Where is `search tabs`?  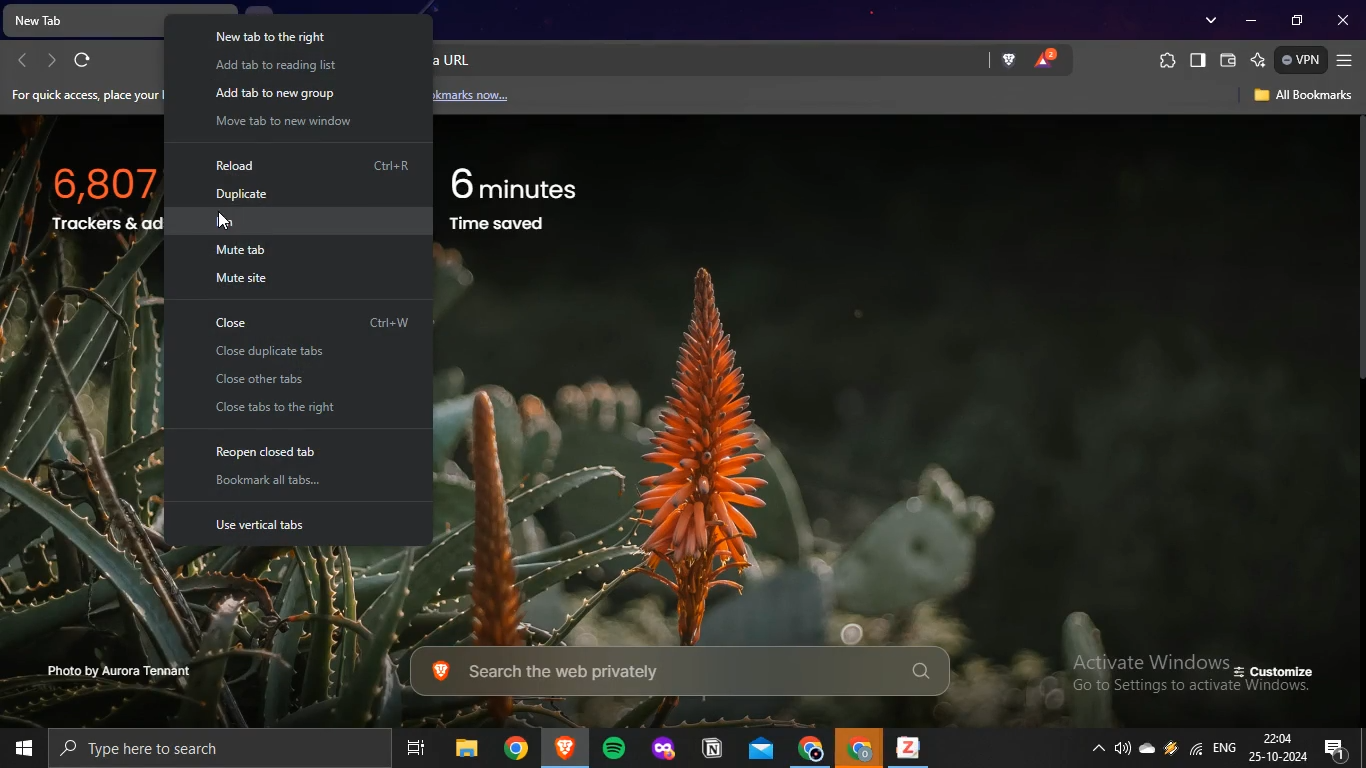 search tabs is located at coordinates (1209, 21).